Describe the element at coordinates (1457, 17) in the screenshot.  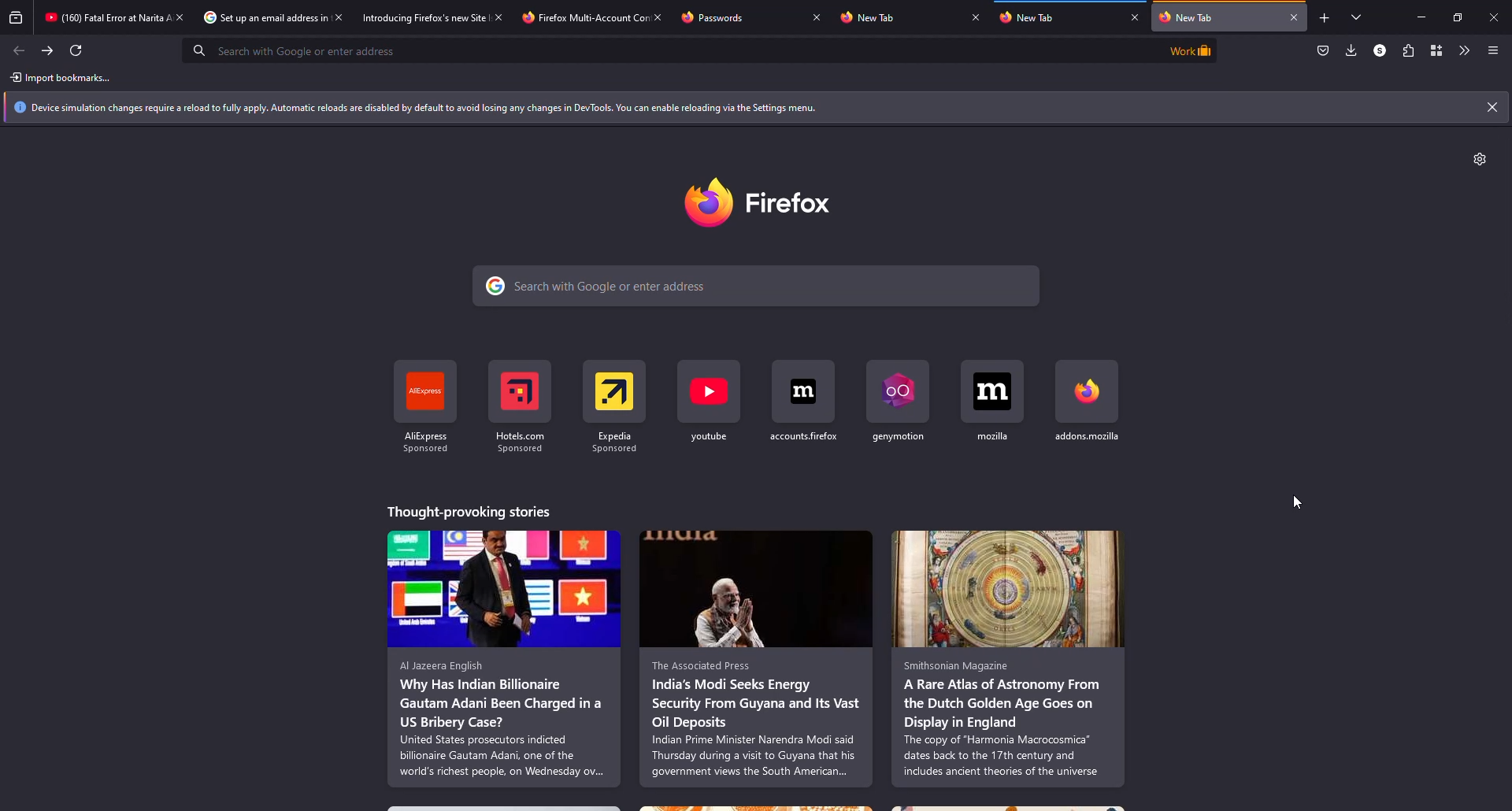
I see `maximize` at that location.